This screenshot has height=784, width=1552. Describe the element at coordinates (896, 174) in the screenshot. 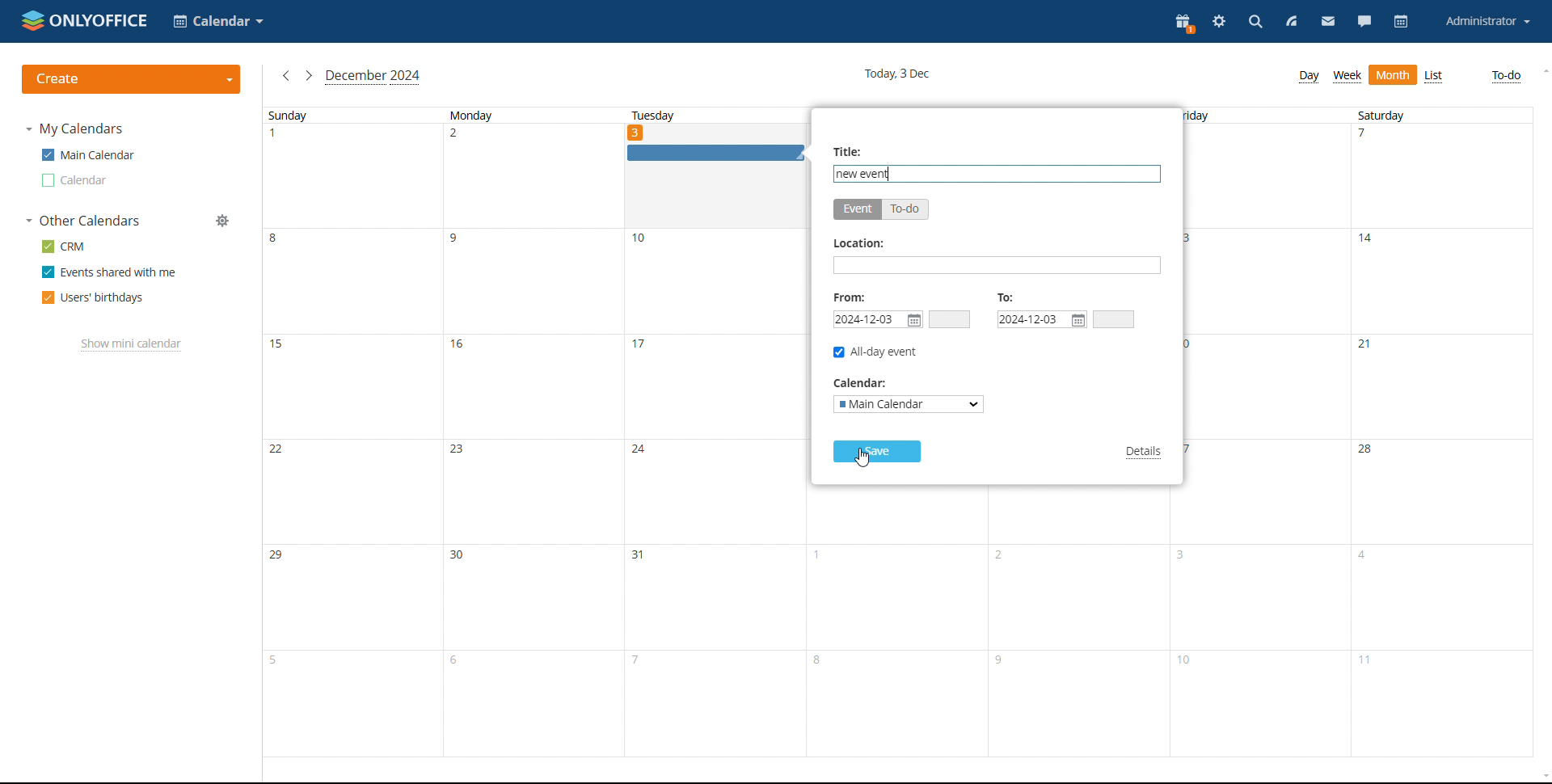

I see `text cursor` at that location.